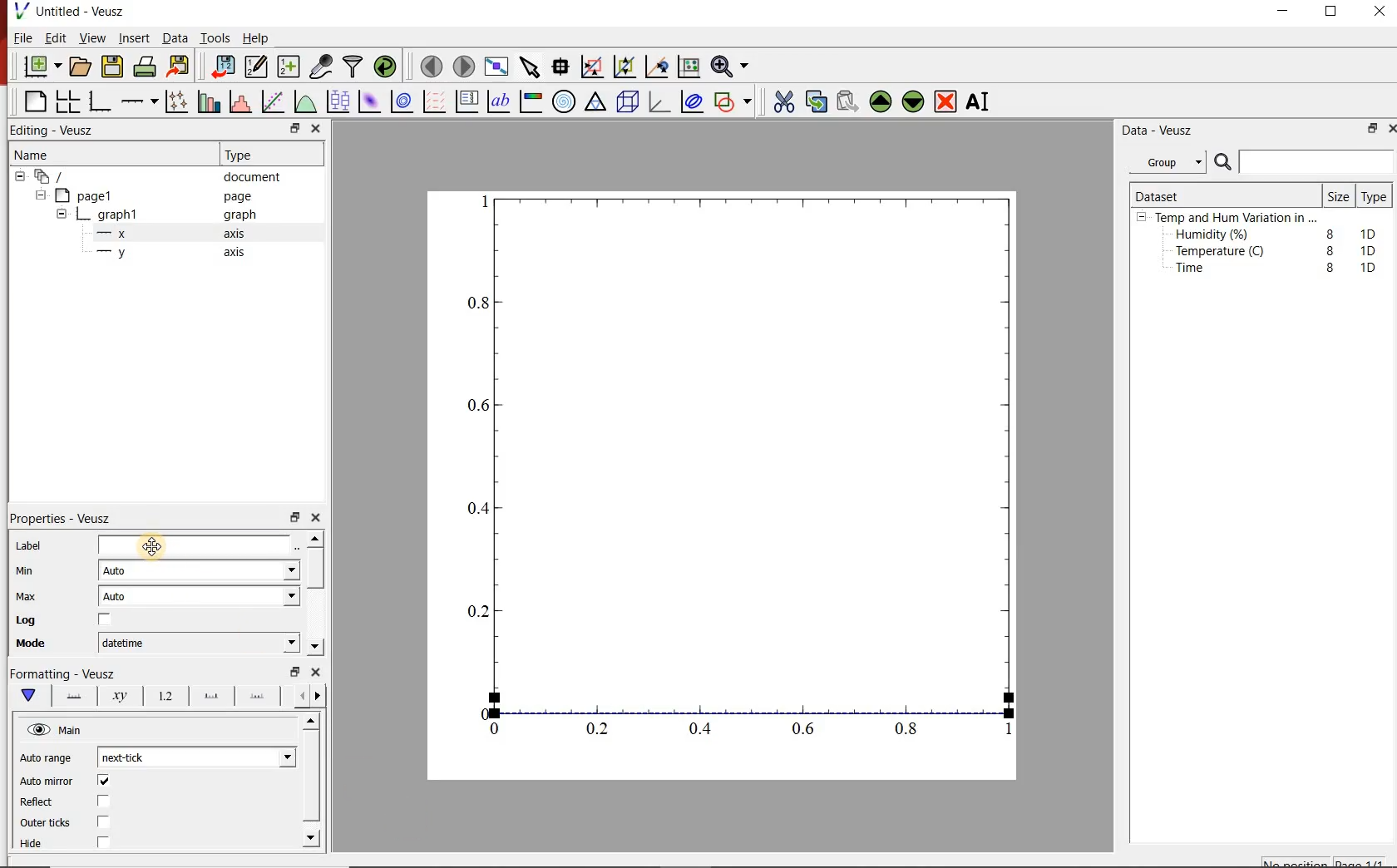 This screenshot has height=868, width=1397. What do you see at coordinates (534, 101) in the screenshot?
I see `image color bar` at bounding box center [534, 101].